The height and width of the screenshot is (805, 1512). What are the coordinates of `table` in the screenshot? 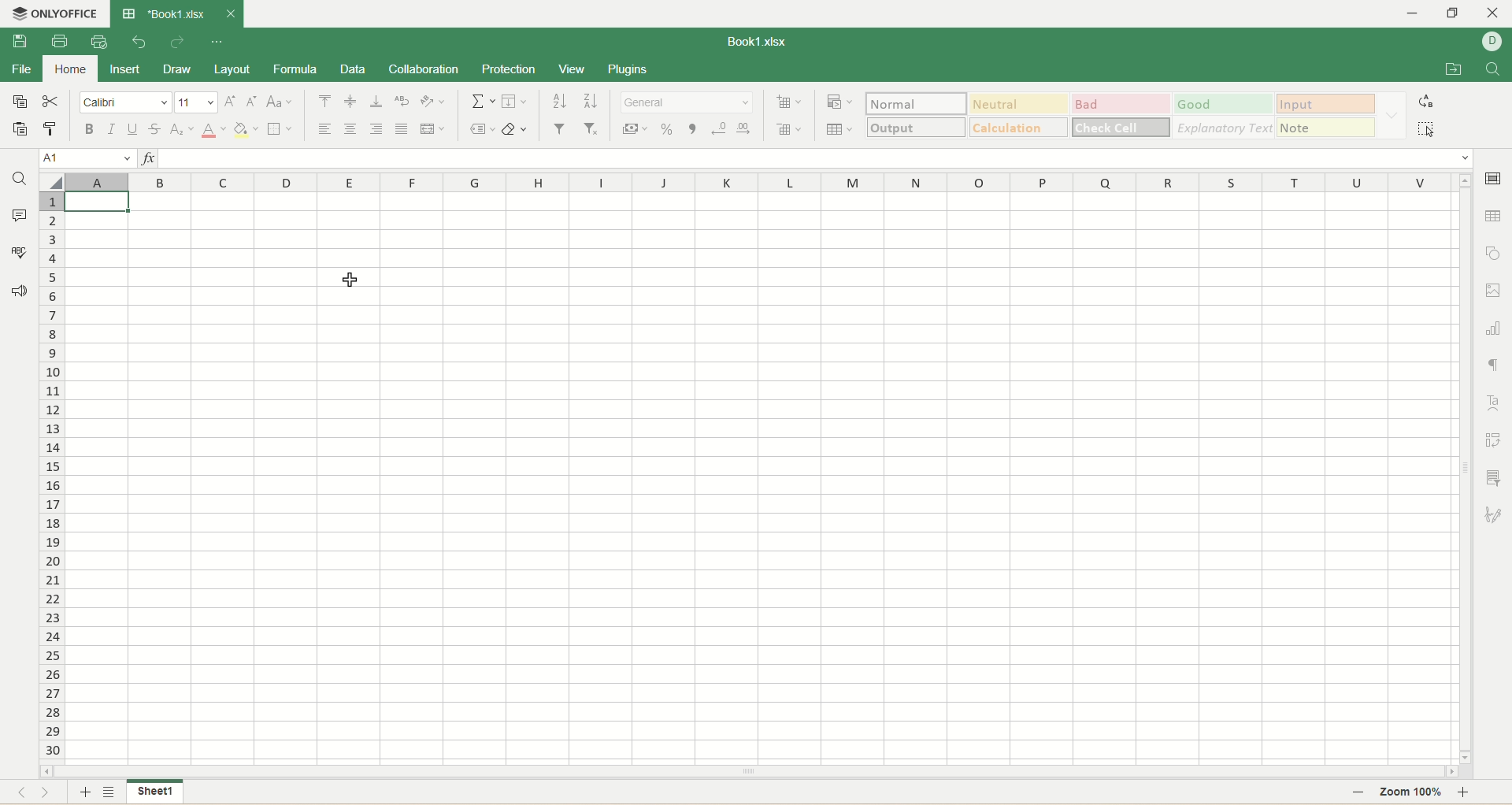 It's located at (839, 130).